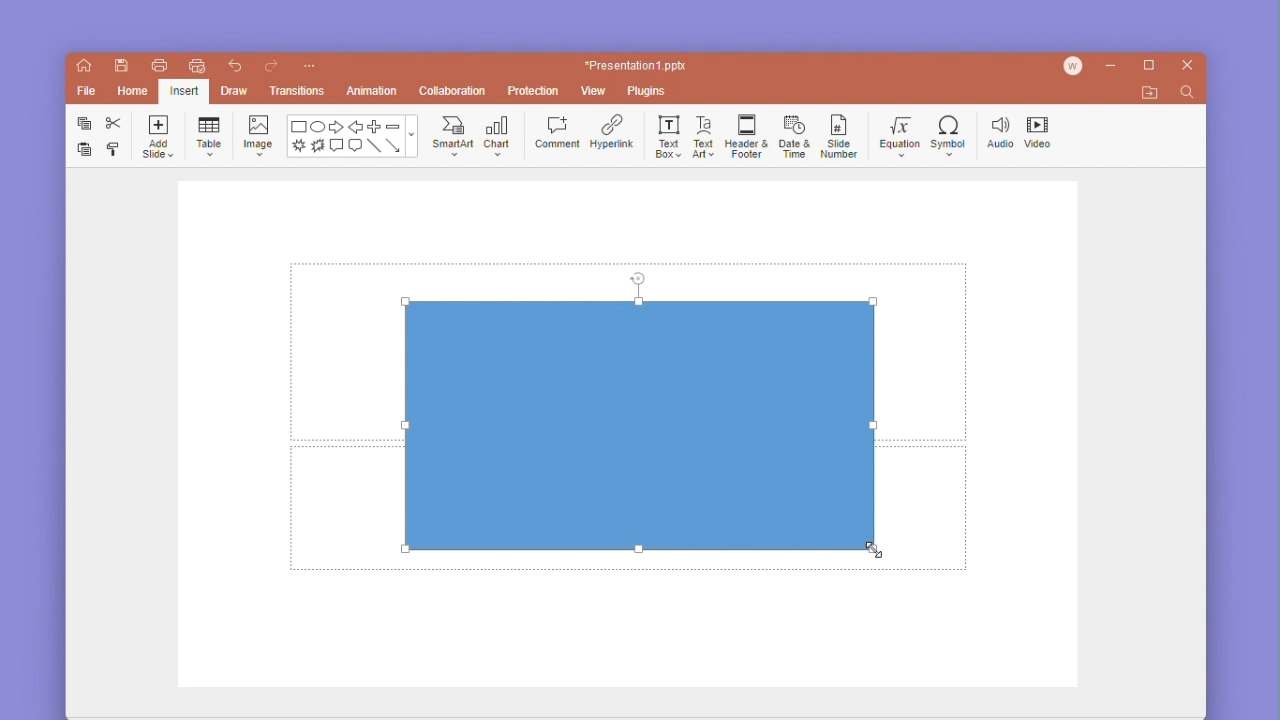 Image resolution: width=1280 pixels, height=720 pixels. I want to click on brush stroke shape, so click(299, 147).